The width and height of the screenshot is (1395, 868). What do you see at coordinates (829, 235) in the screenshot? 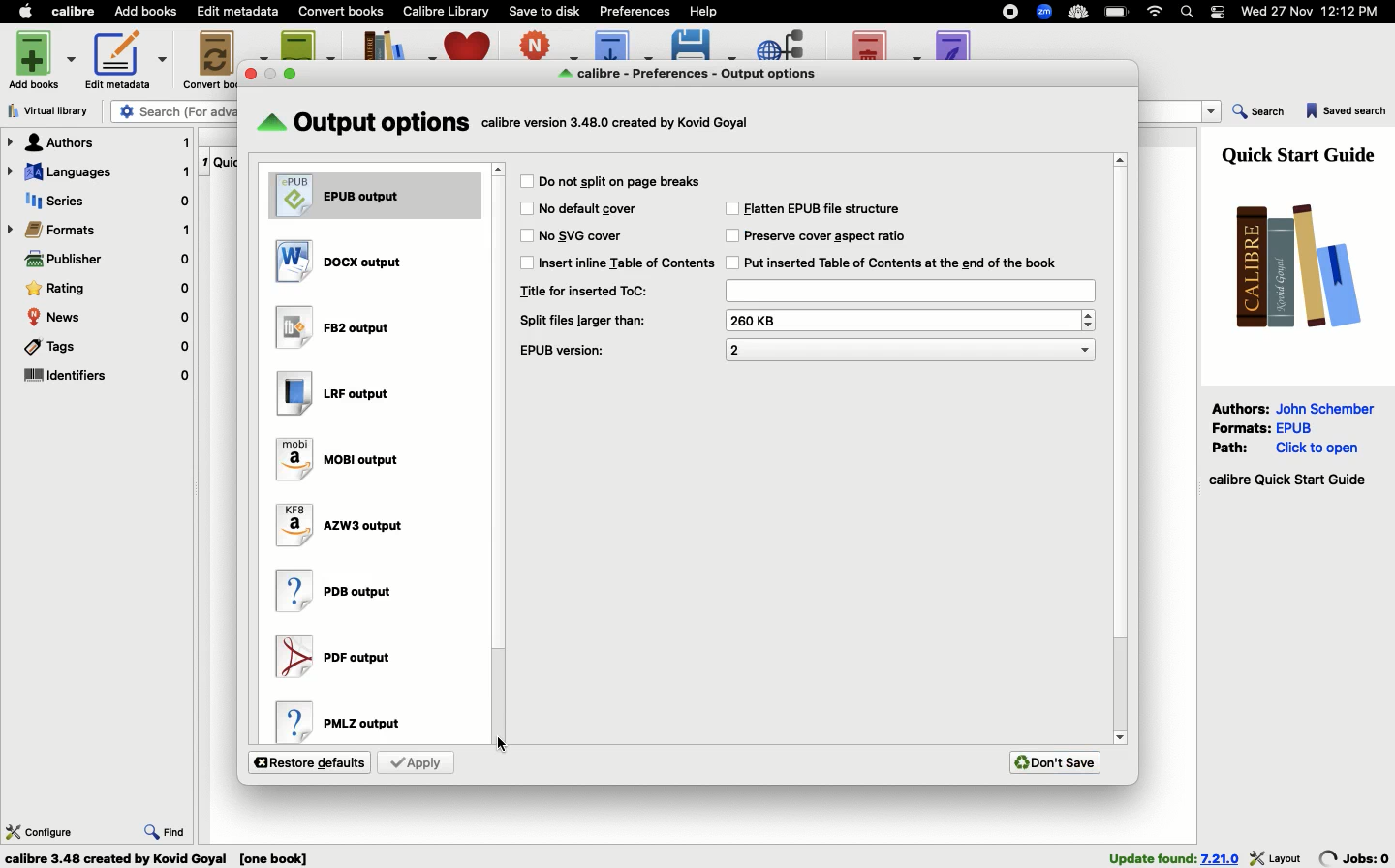
I see `Preserve cover aspect ratio` at bounding box center [829, 235].